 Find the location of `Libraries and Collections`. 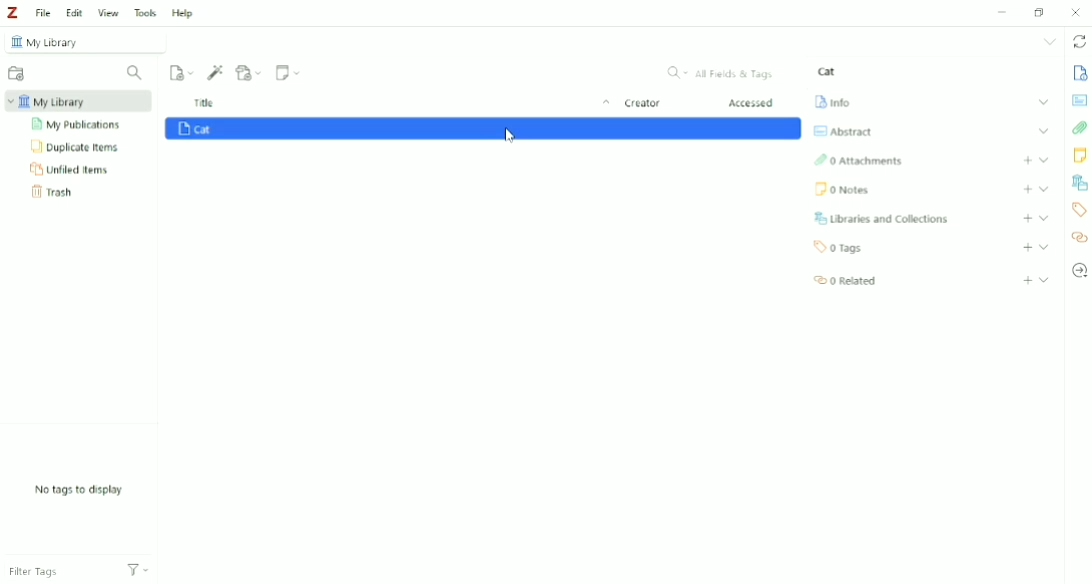

Libraries and Collections is located at coordinates (1079, 183).